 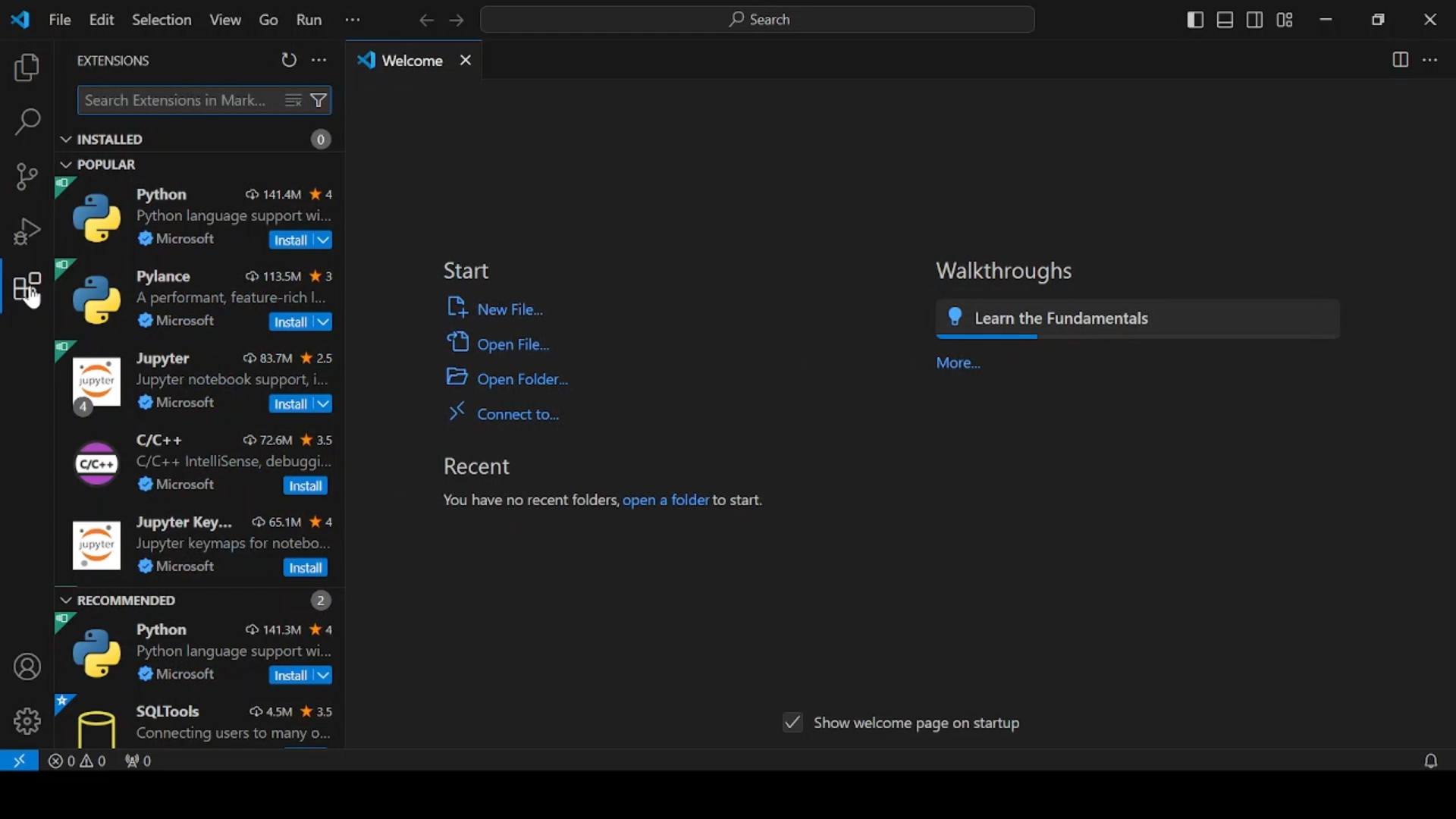 What do you see at coordinates (102, 140) in the screenshot?
I see `installed` at bounding box center [102, 140].